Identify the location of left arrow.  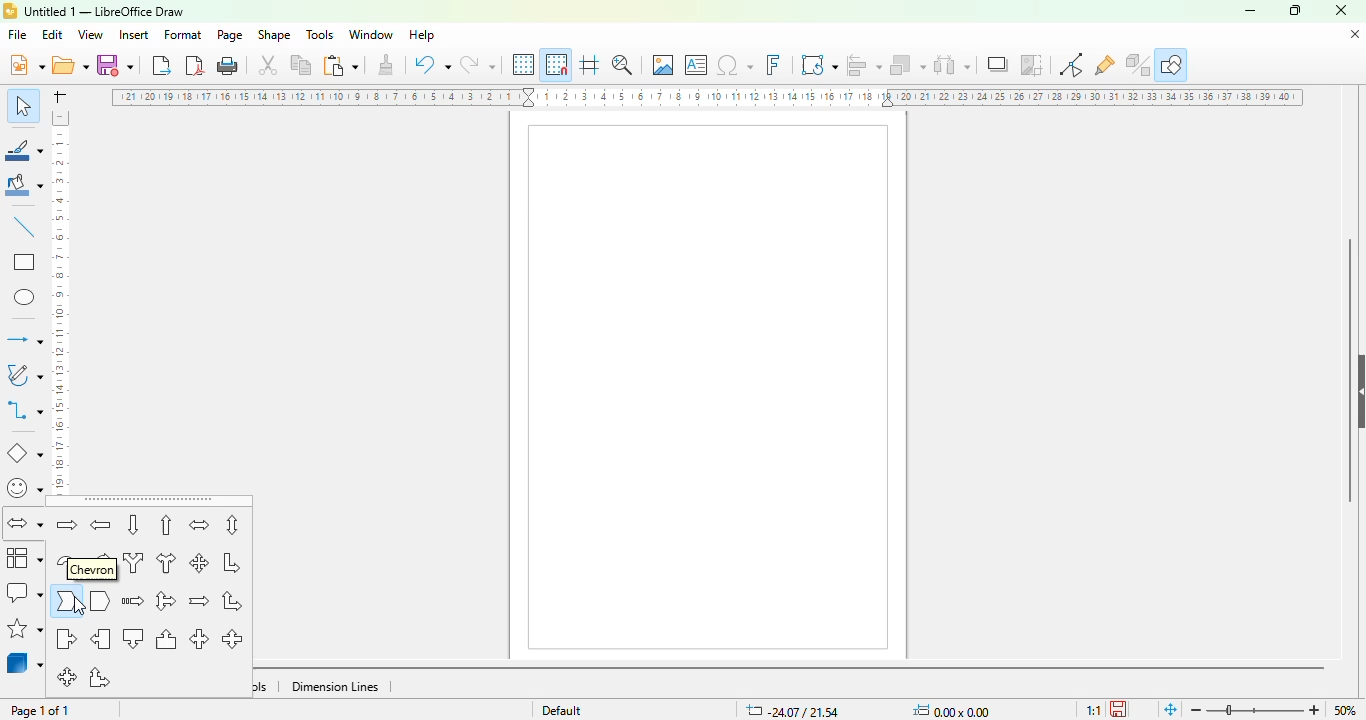
(100, 525).